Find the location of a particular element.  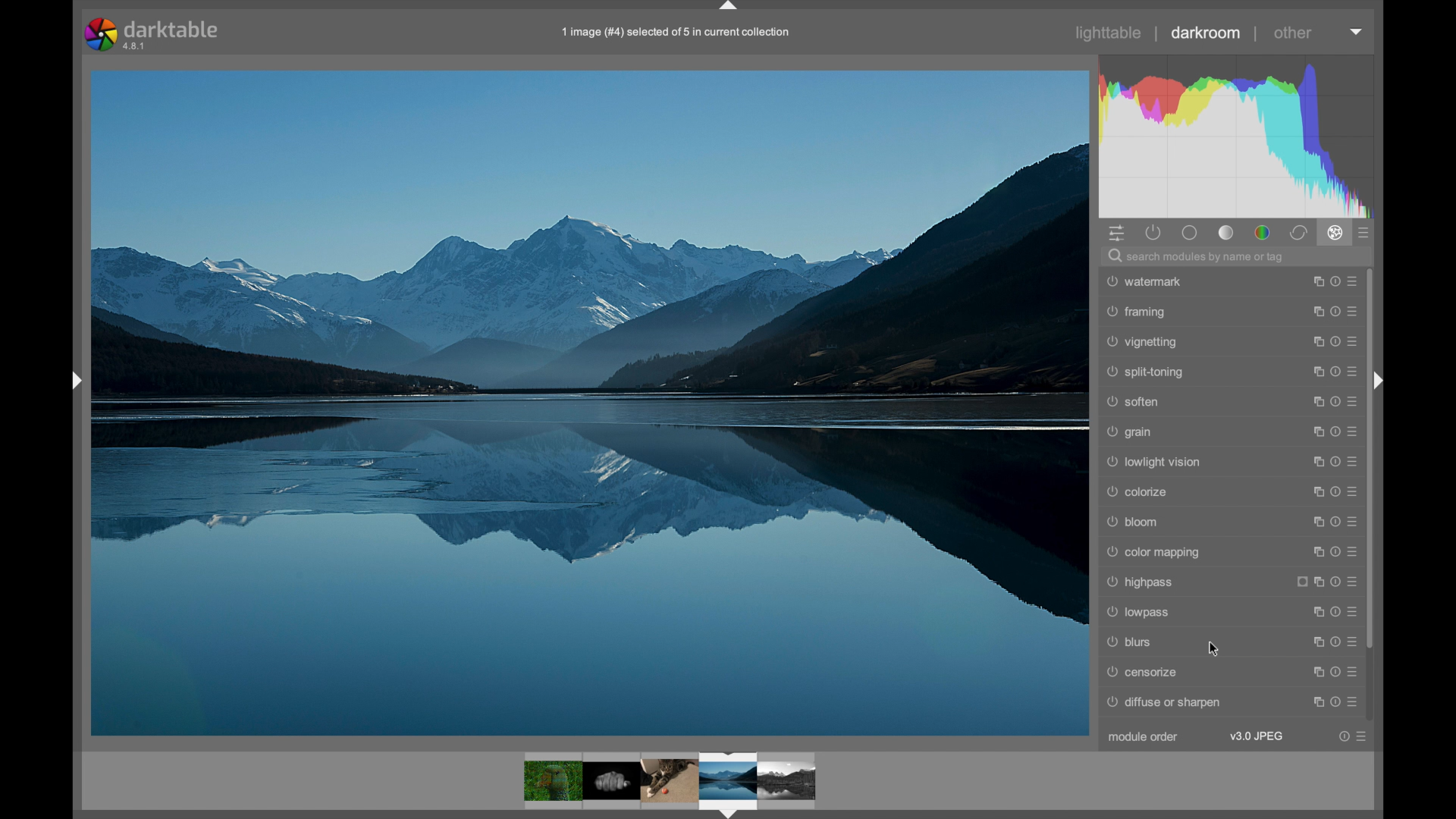

show quick access  panel is located at coordinates (1116, 232).